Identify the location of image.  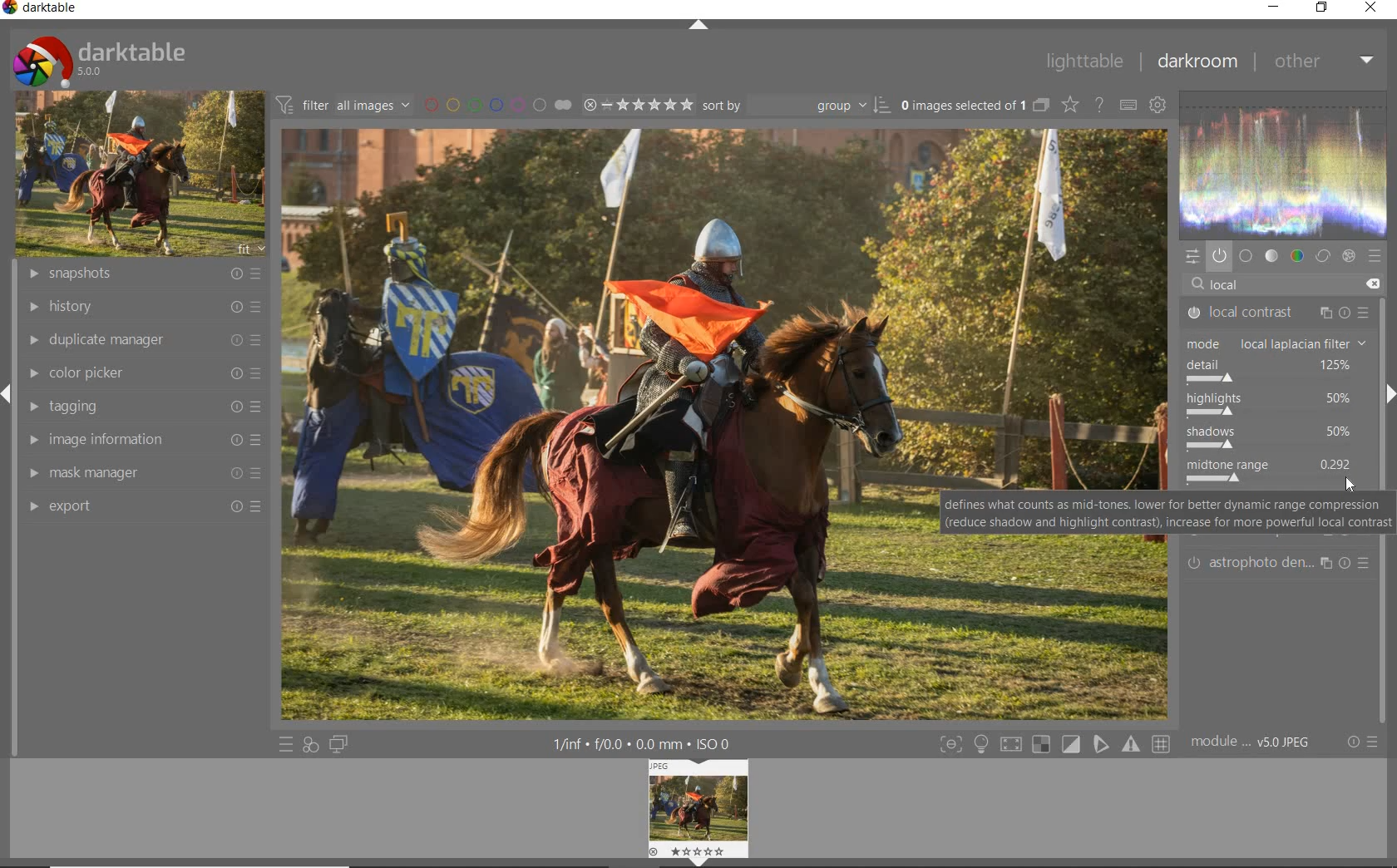
(141, 174).